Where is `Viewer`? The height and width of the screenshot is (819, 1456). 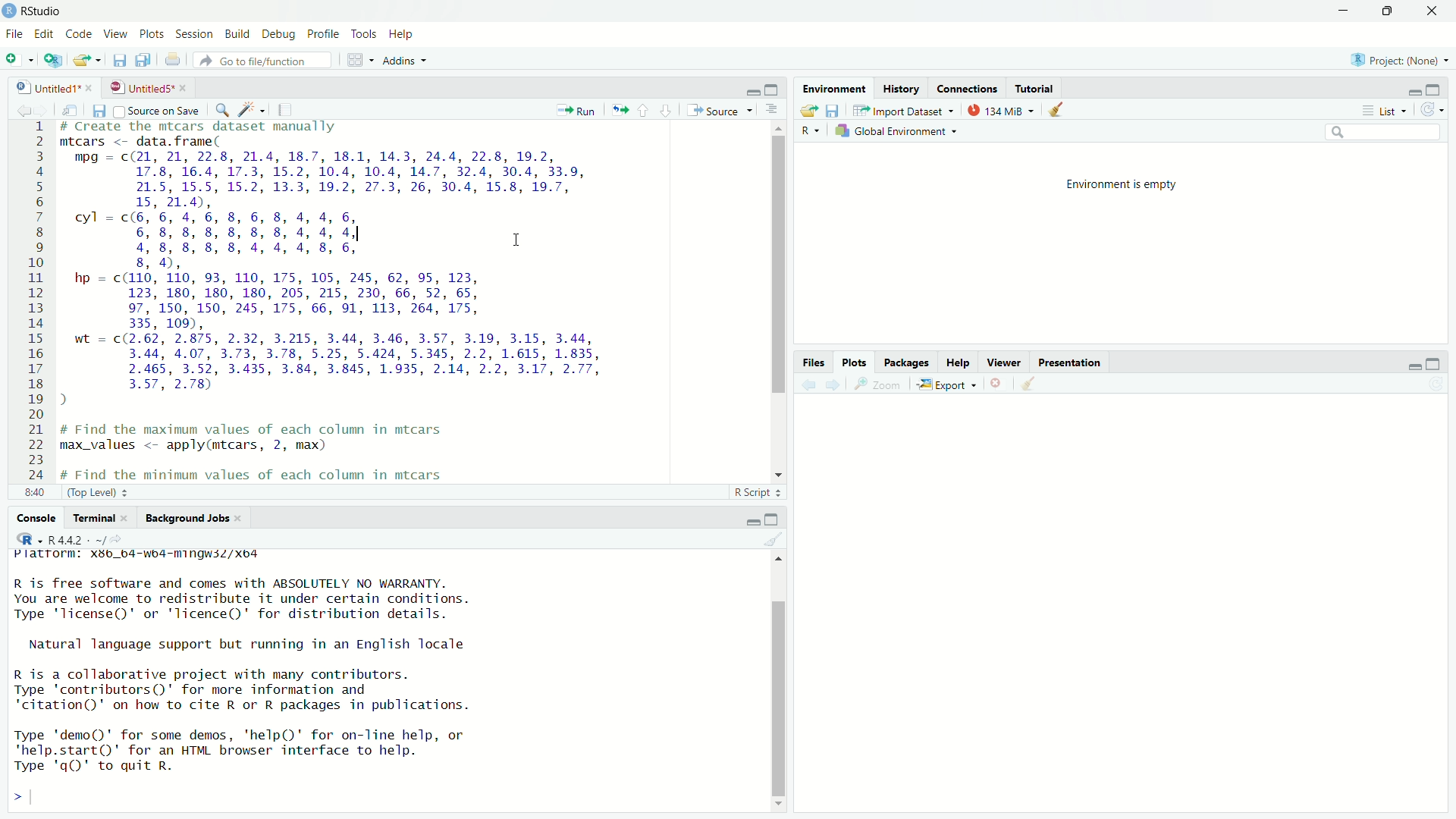
Viewer is located at coordinates (1001, 359).